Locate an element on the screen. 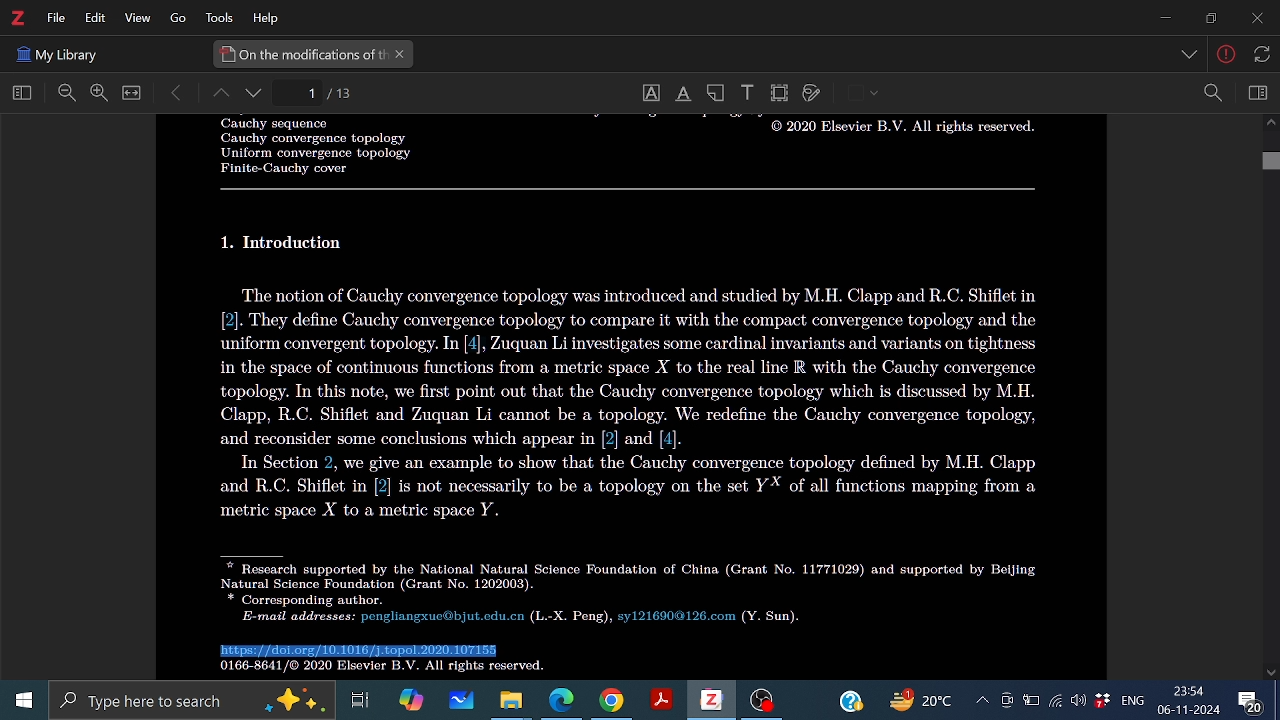 This screenshot has width=1280, height=720. Zoom is located at coordinates (1212, 93).